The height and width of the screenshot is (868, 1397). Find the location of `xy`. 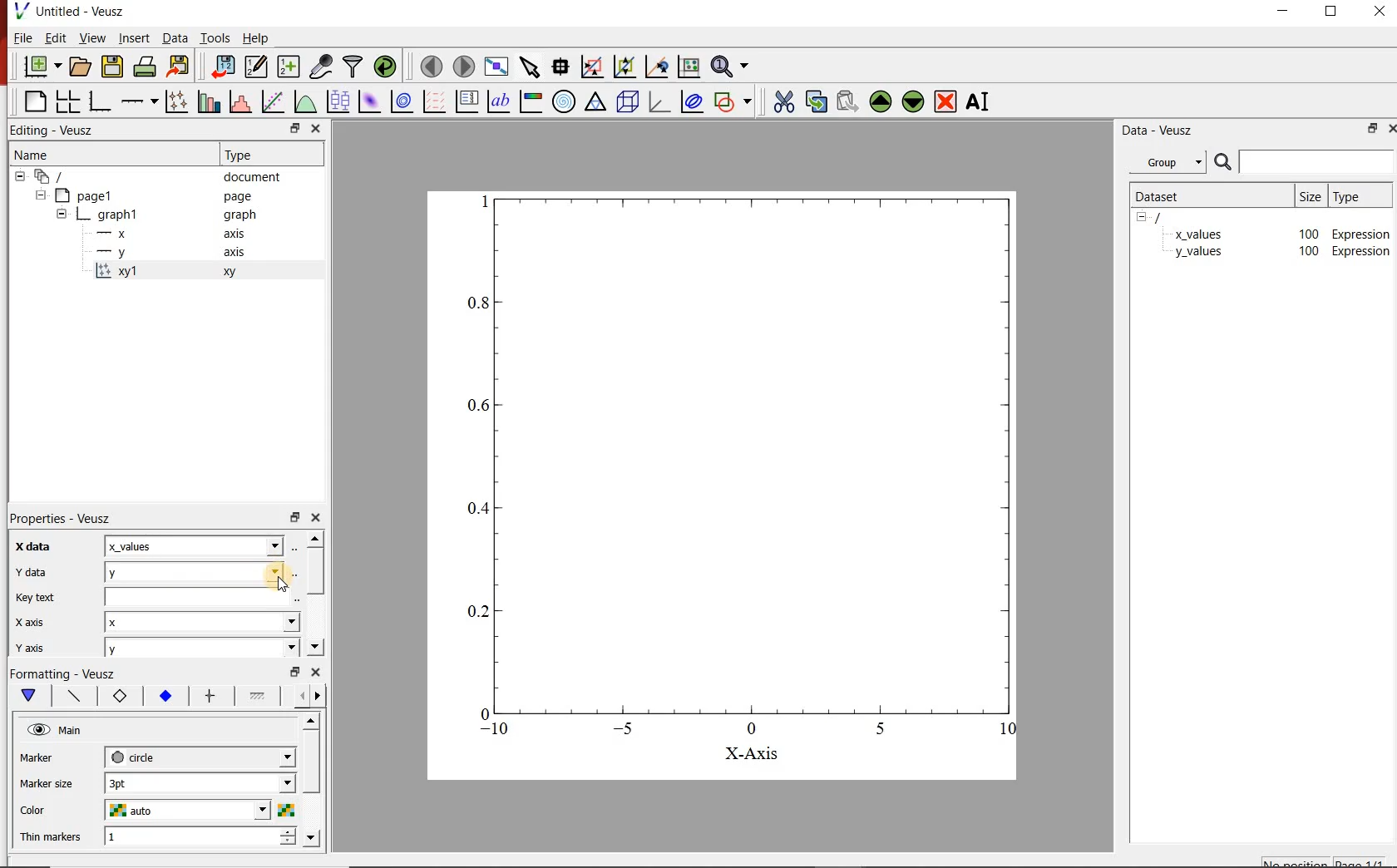

xy is located at coordinates (234, 272).